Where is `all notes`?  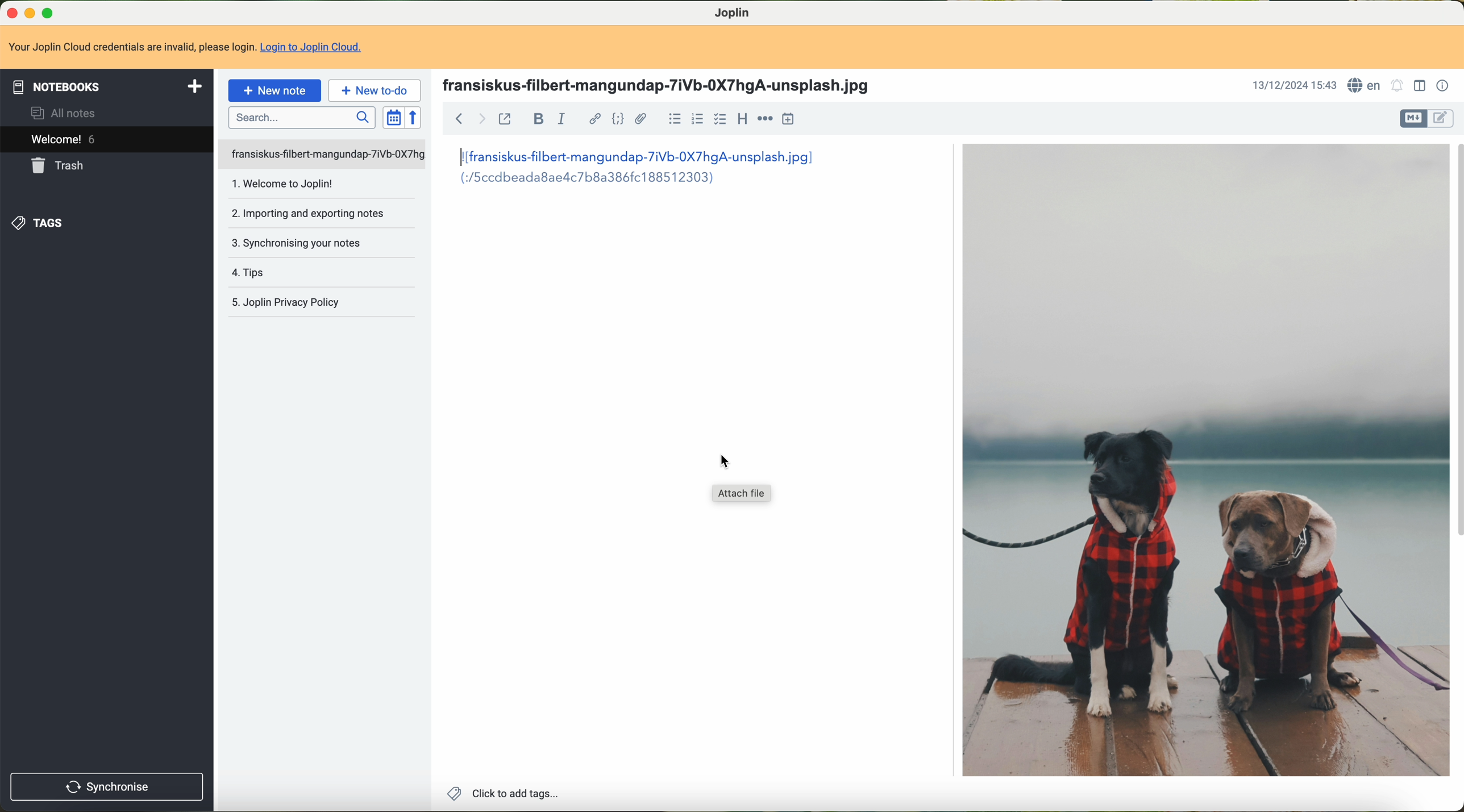 all notes is located at coordinates (66, 114).